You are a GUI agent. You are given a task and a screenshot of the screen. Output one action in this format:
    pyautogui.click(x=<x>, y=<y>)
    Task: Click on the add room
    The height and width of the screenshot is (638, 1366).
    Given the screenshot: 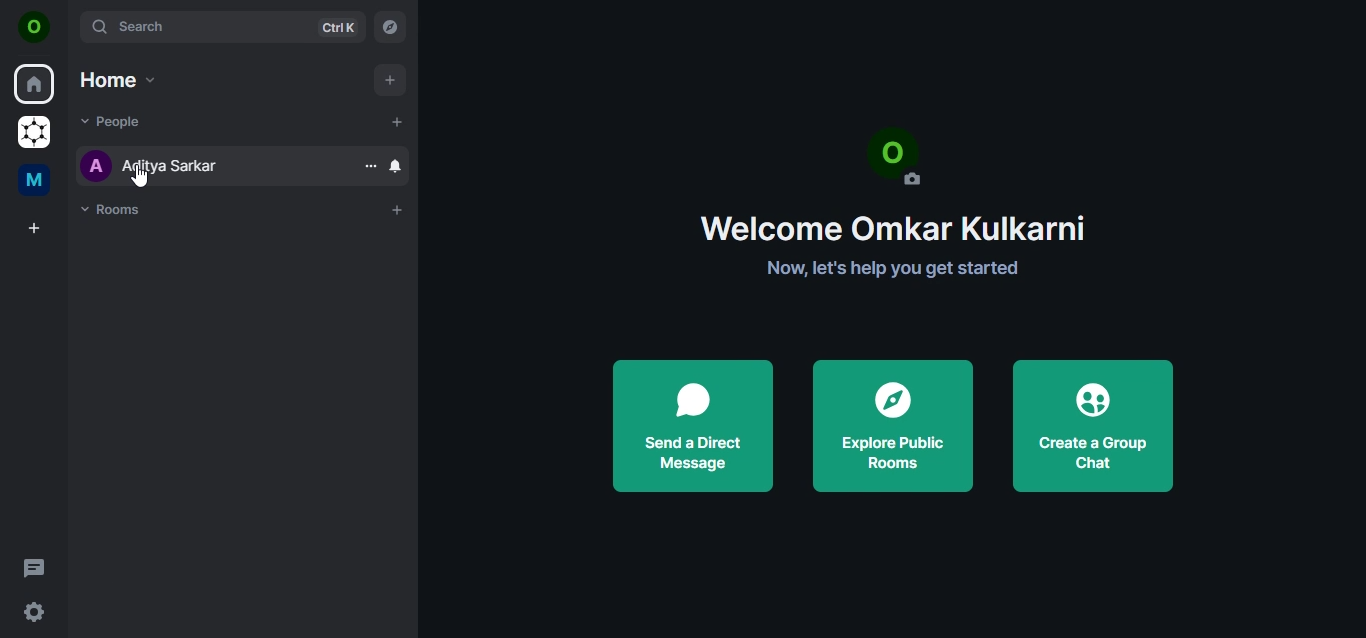 What is the action you would take?
    pyautogui.click(x=398, y=210)
    